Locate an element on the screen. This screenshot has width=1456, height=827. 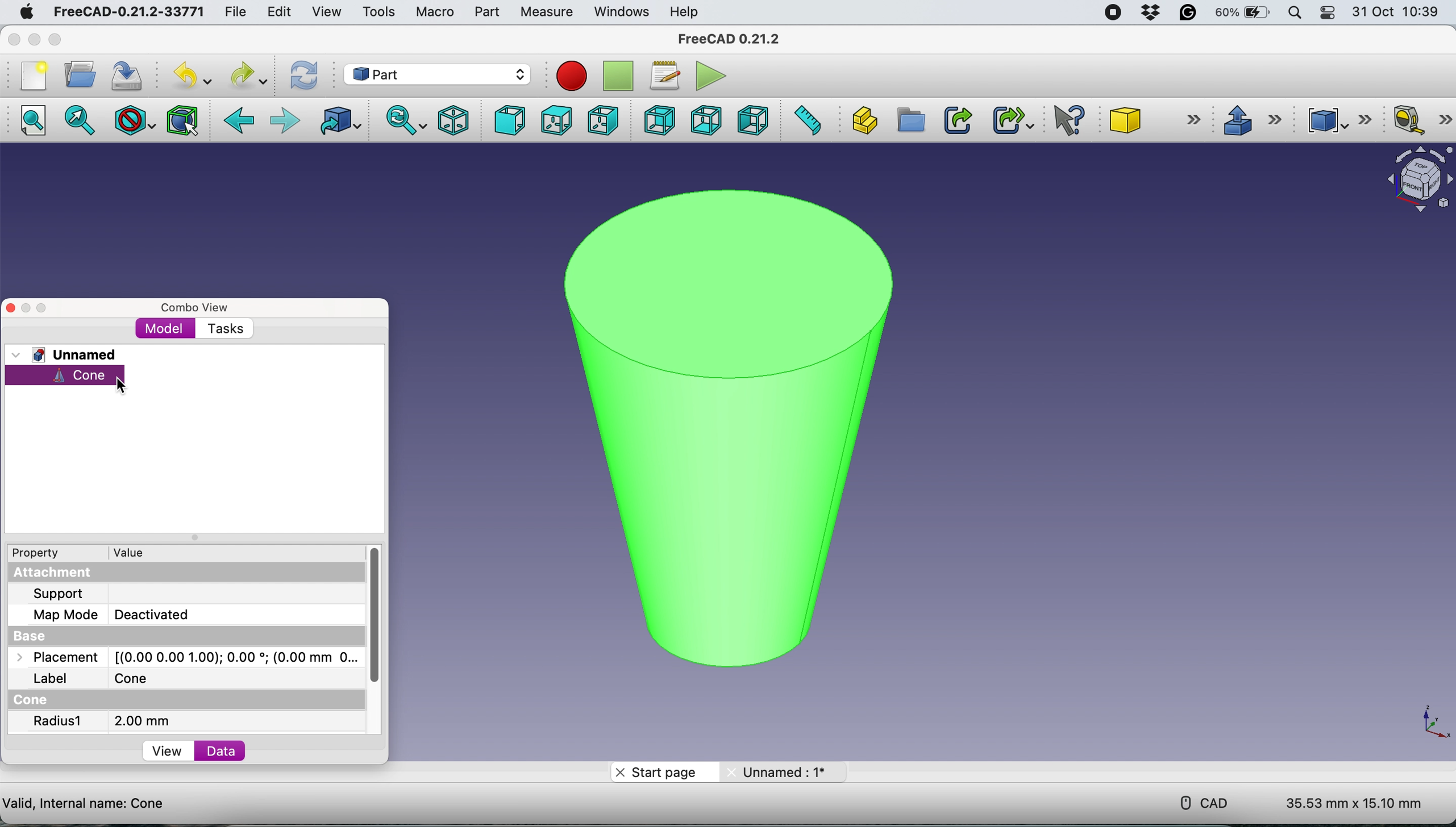
system logo is located at coordinates (19, 11).